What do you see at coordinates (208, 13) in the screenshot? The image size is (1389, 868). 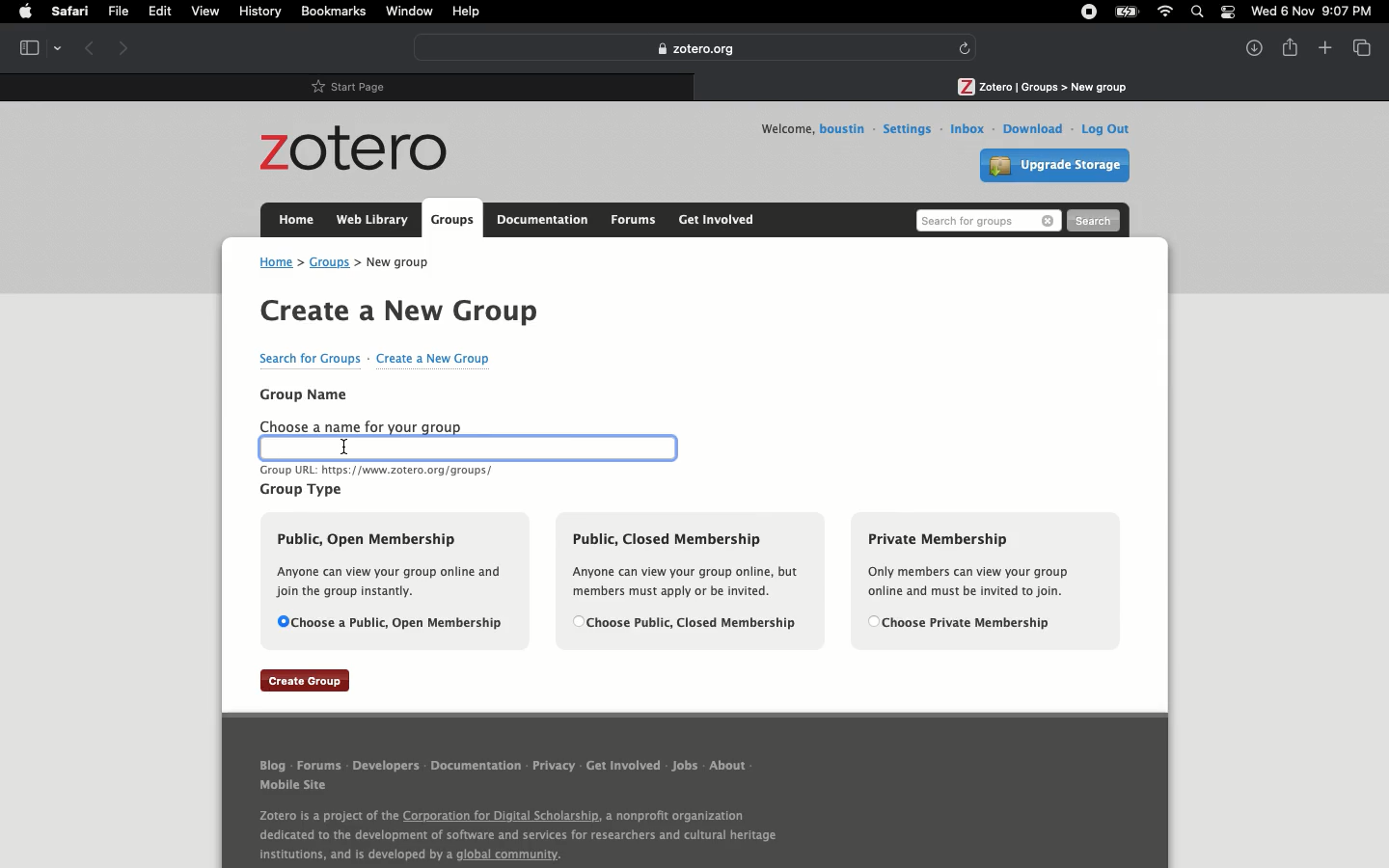 I see `View` at bounding box center [208, 13].